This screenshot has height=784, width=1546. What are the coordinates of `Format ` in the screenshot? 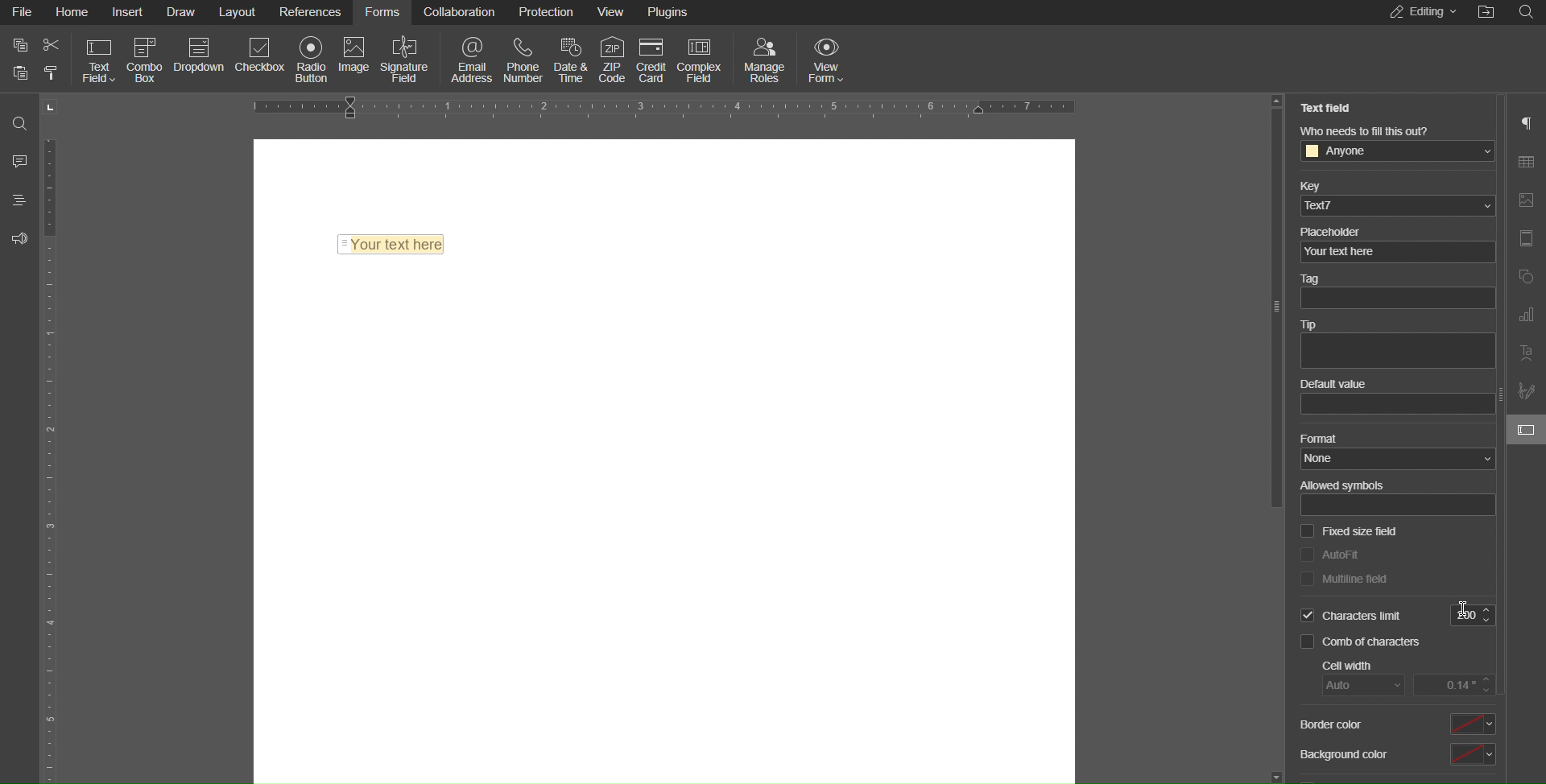 It's located at (1391, 451).